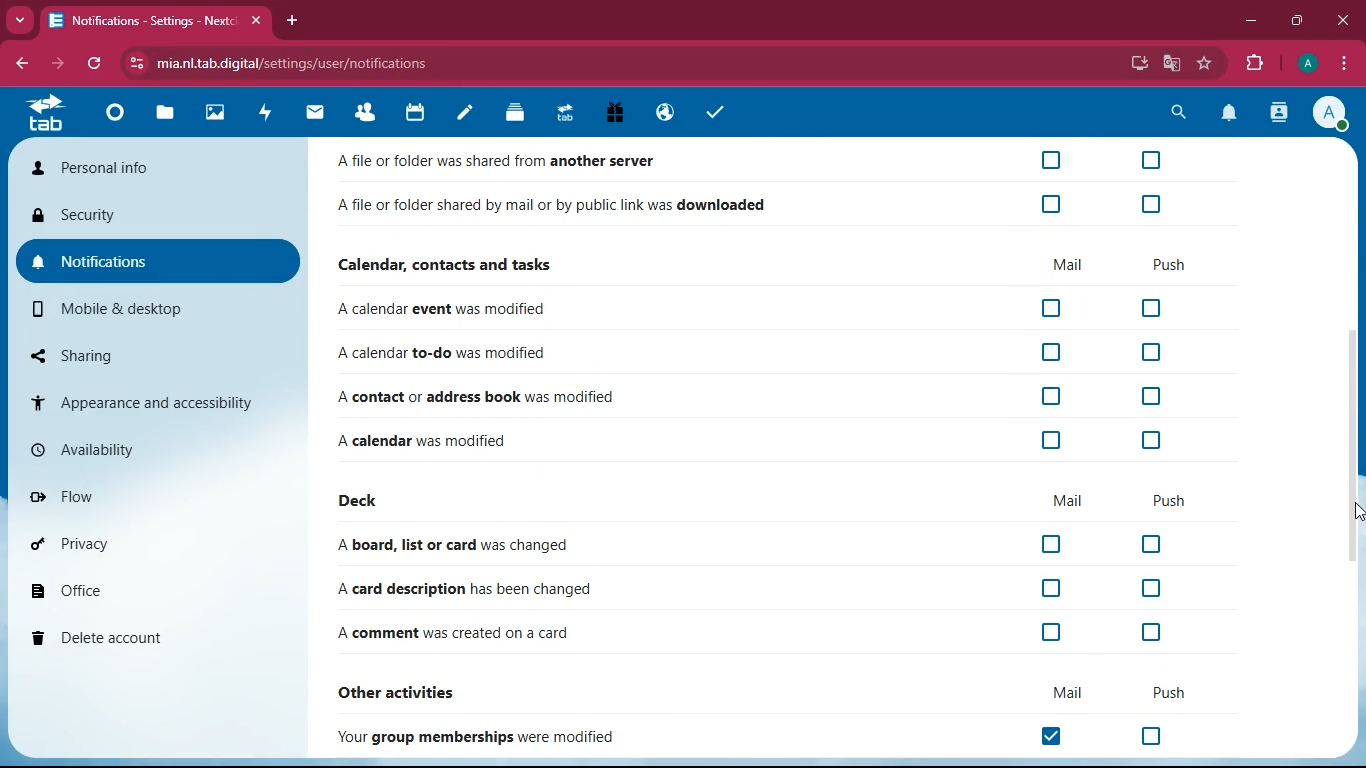 The image size is (1366, 768). What do you see at coordinates (1340, 21) in the screenshot?
I see `close` at bounding box center [1340, 21].